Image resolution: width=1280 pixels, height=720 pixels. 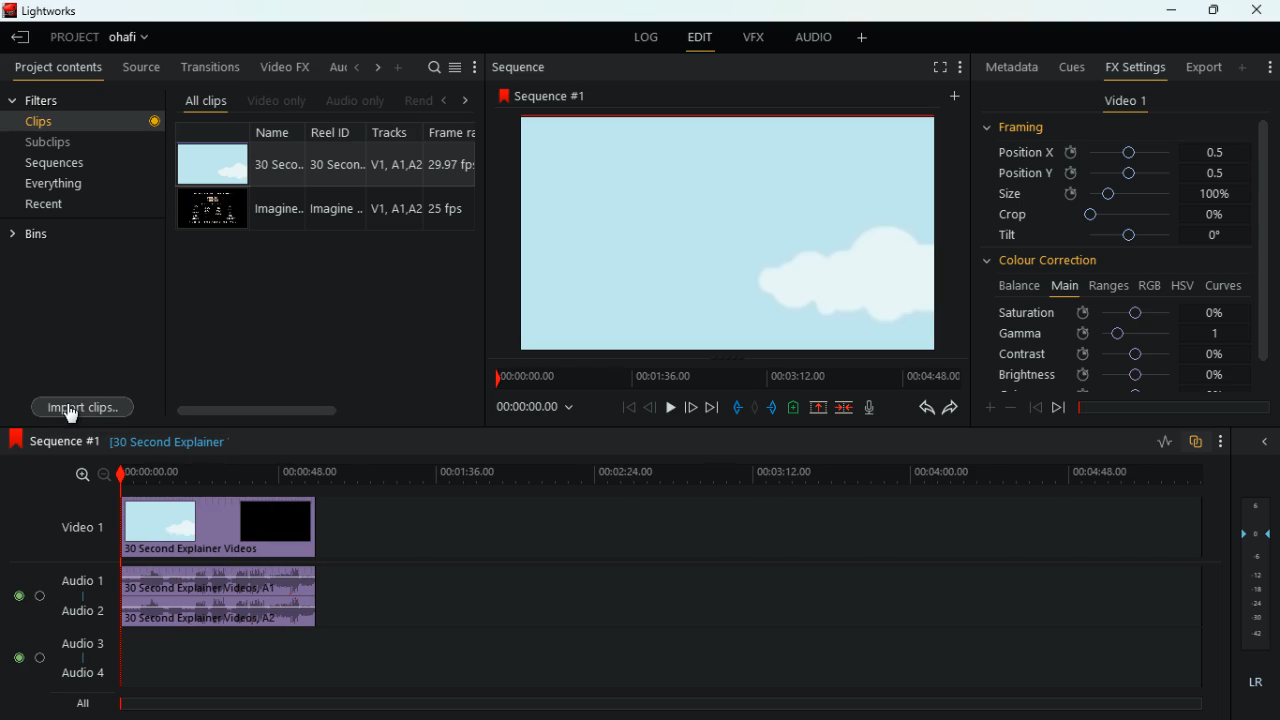 I want to click on ranges, so click(x=1106, y=286).